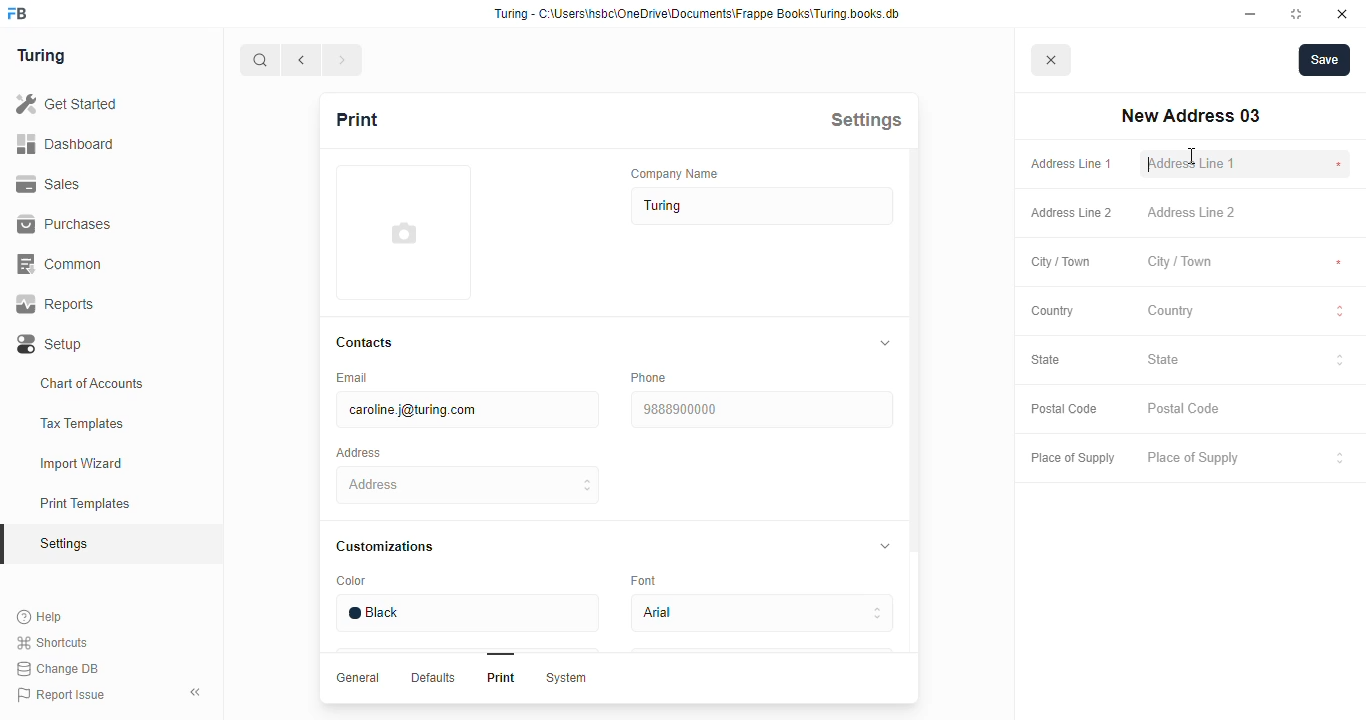 The image size is (1366, 720). Describe the element at coordinates (52, 643) in the screenshot. I see `shortcuts` at that location.